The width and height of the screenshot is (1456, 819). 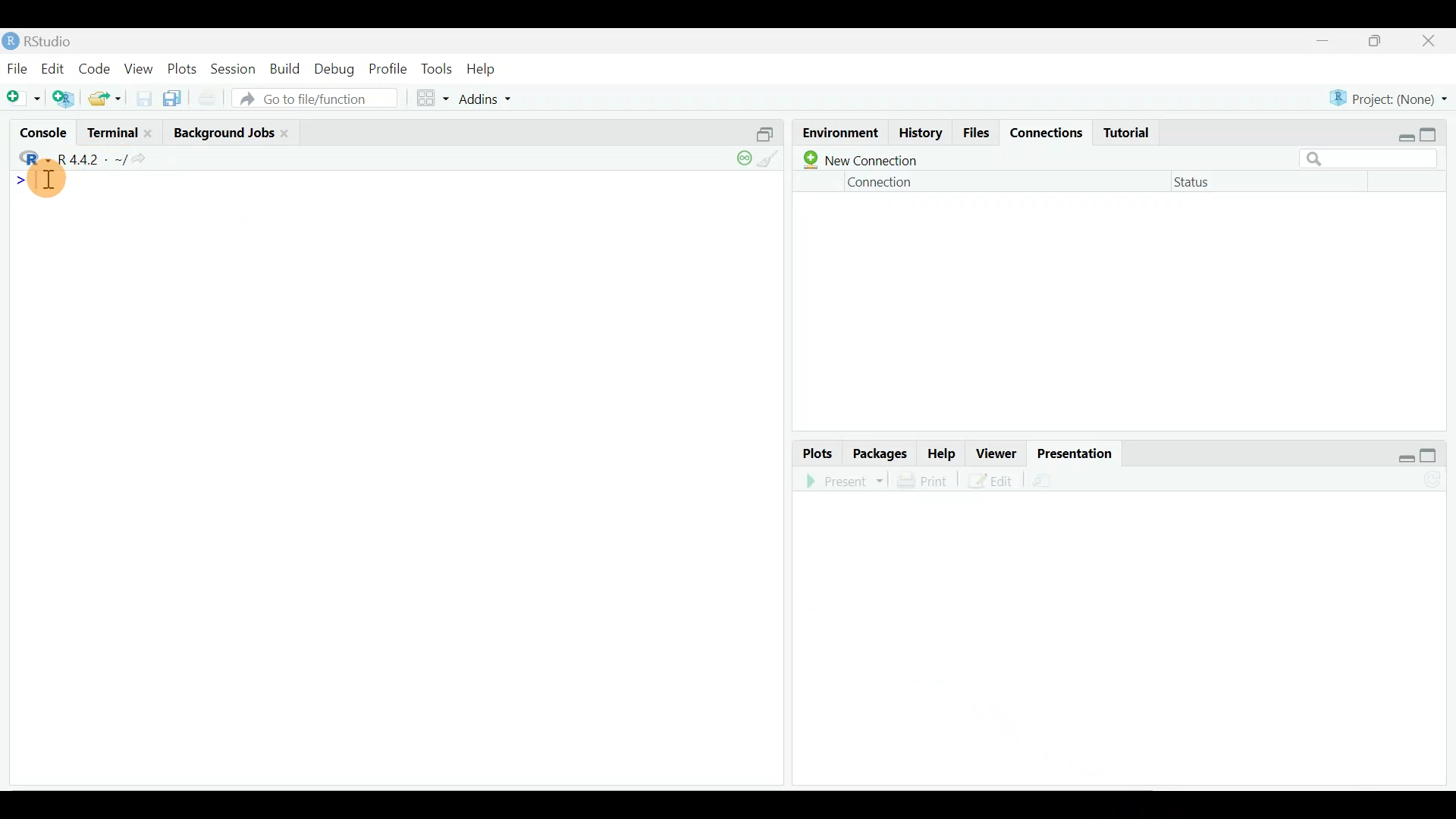 I want to click on minimize, so click(x=1329, y=39).